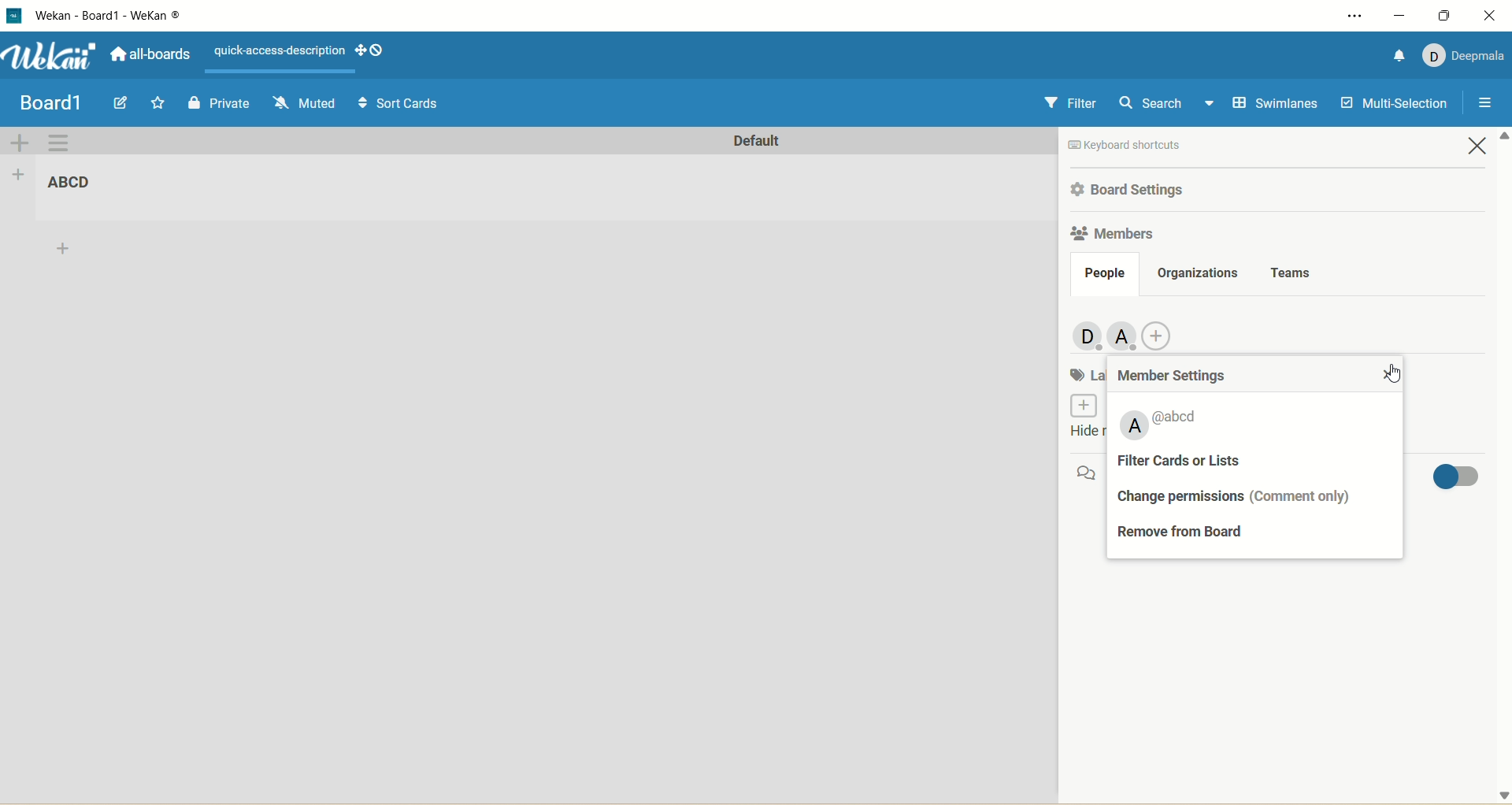  Describe the element at coordinates (59, 144) in the screenshot. I see `swimlane actions` at that location.